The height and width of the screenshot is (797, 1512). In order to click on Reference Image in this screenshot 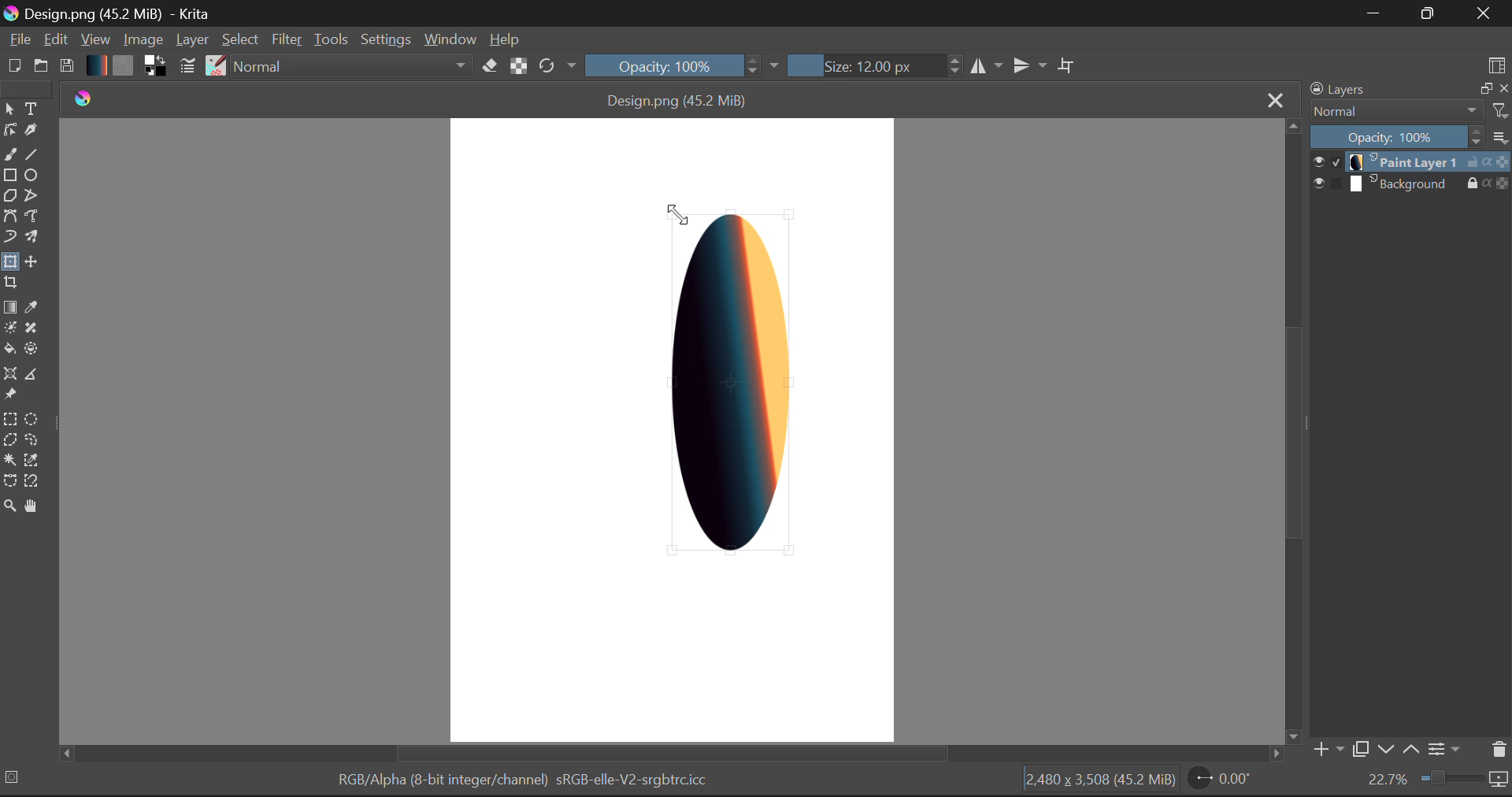, I will do `click(9, 395)`.